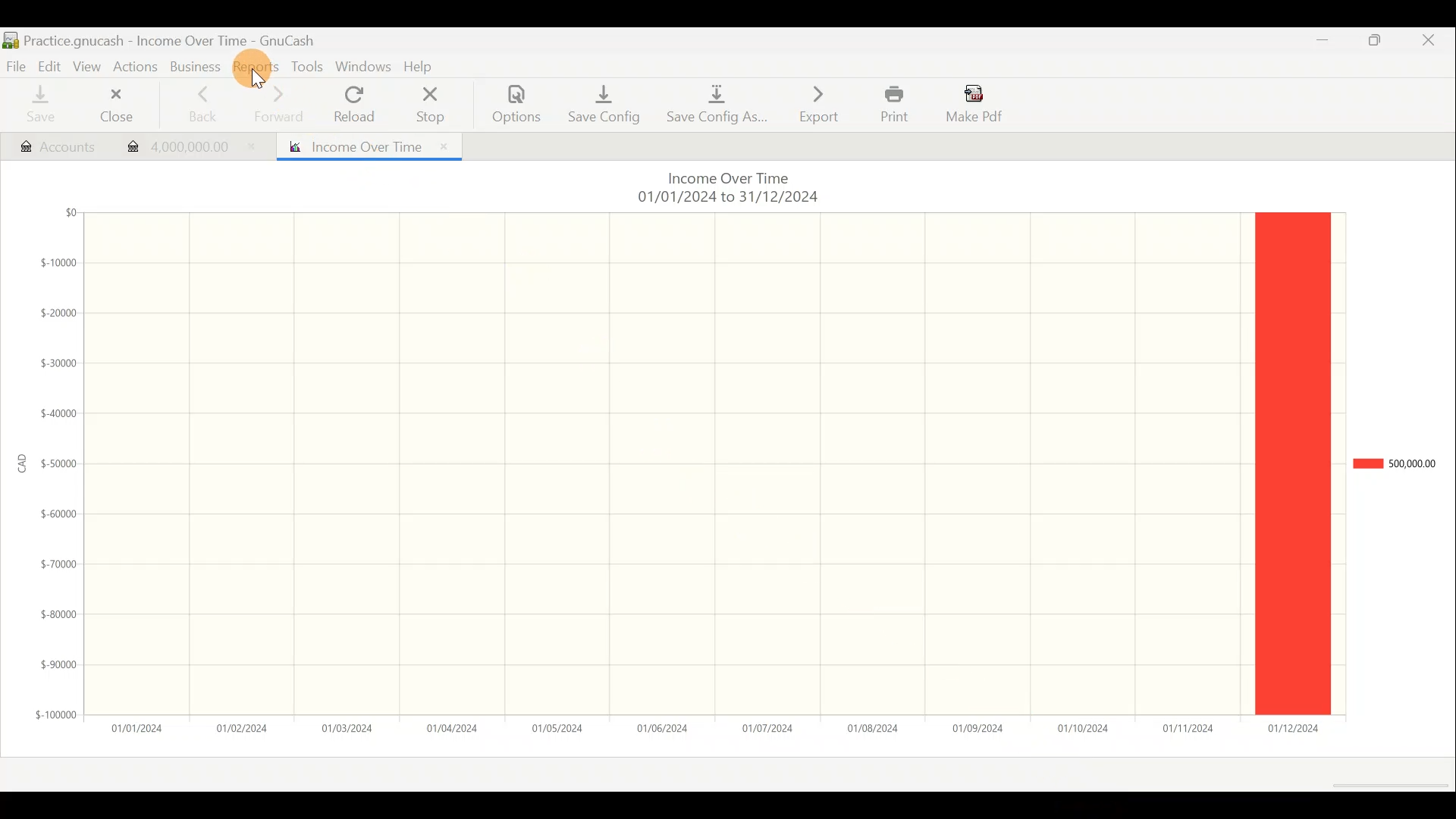 This screenshot has height=819, width=1456. Describe the element at coordinates (422, 64) in the screenshot. I see `Help` at that location.